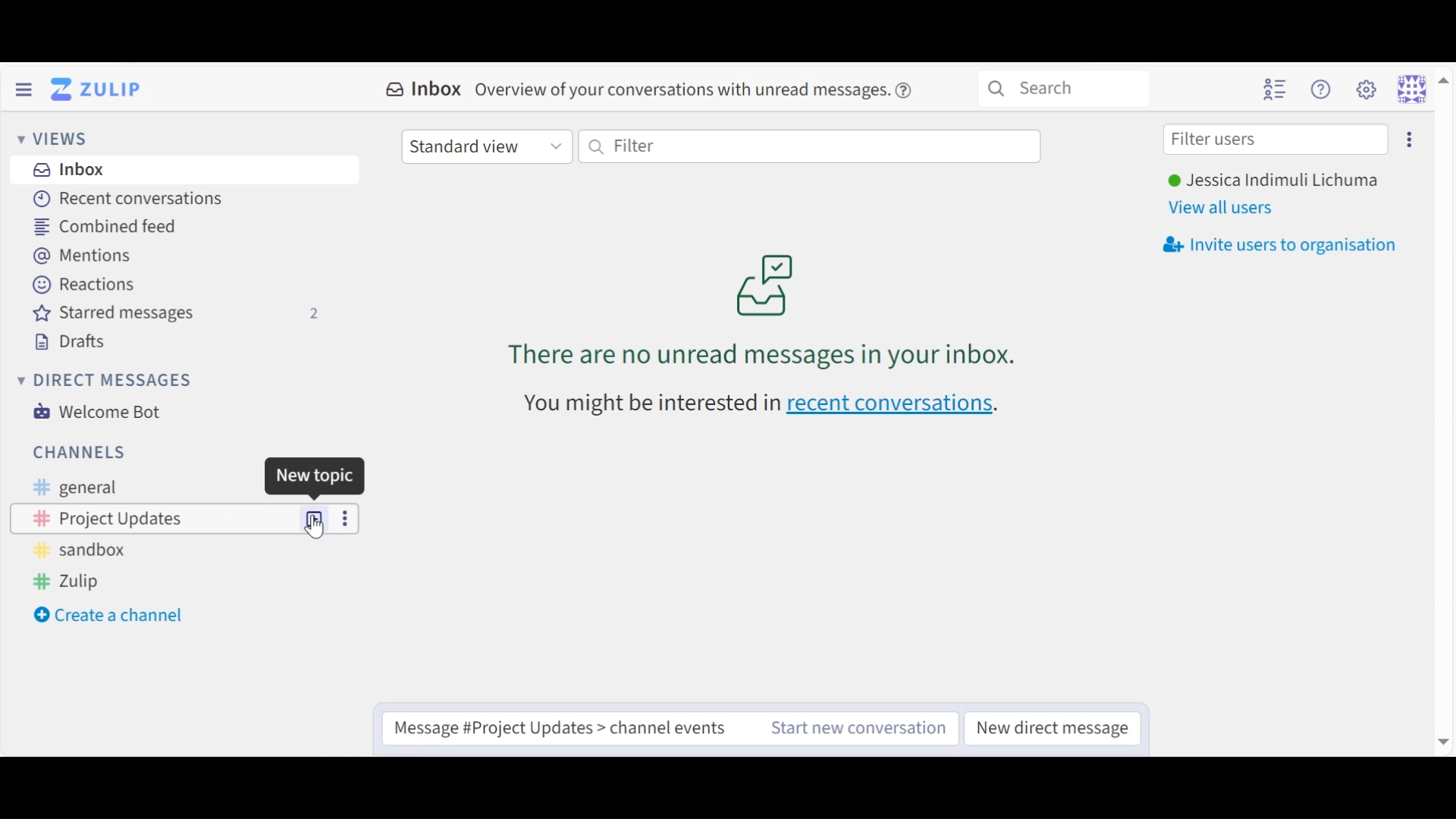 Image resolution: width=1456 pixels, height=819 pixels. What do you see at coordinates (83, 255) in the screenshot?
I see `Mentions` at bounding box center [83, 255].